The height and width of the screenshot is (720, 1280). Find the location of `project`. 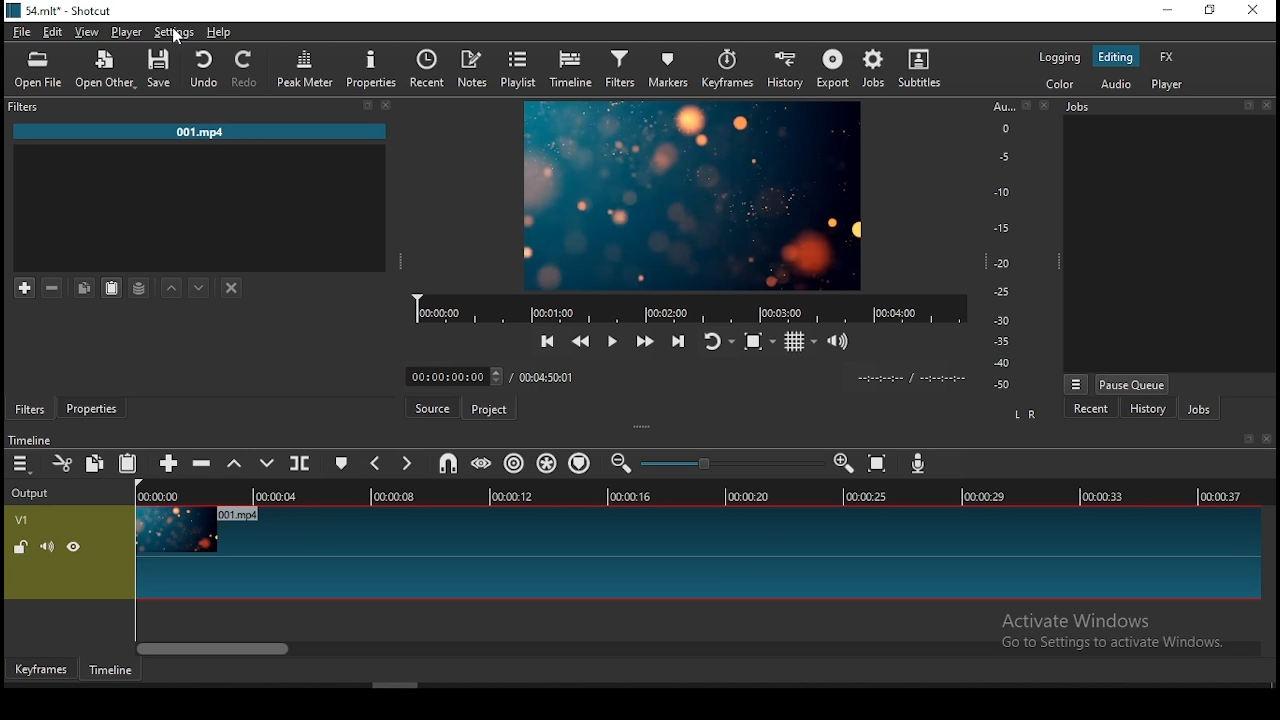

project is located at coordinates (489, 408).